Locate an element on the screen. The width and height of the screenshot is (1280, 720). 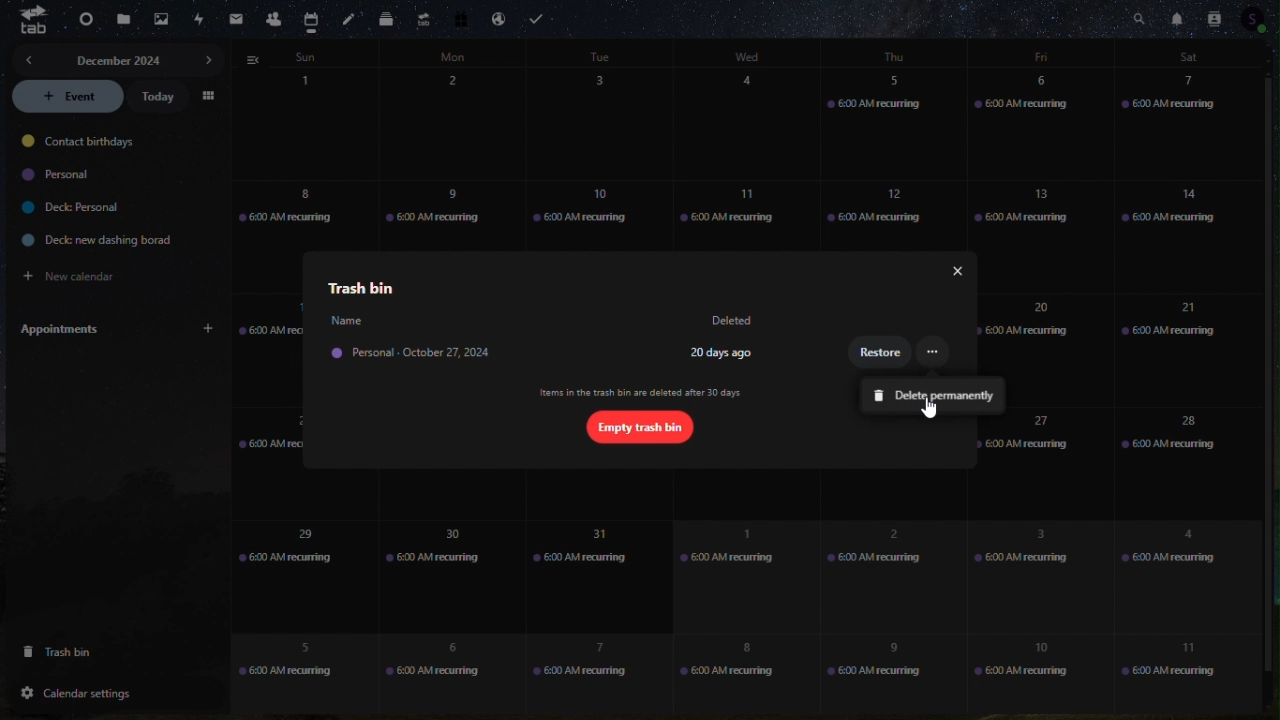
notifications is located at coordinates (1173, 17).